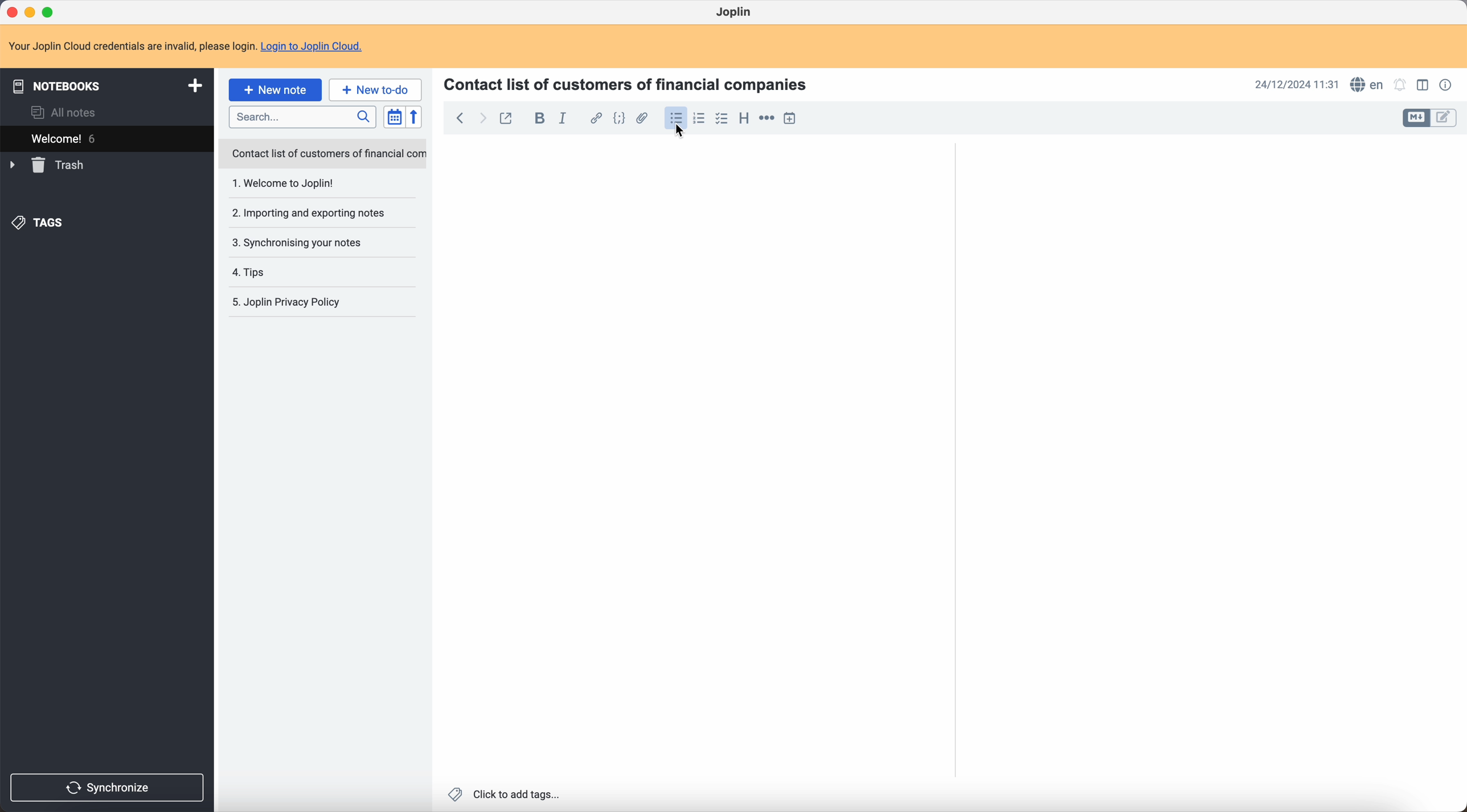 The width and height of the screenshot is (1467, 812). I want to click on welcome, so click(96, 138).